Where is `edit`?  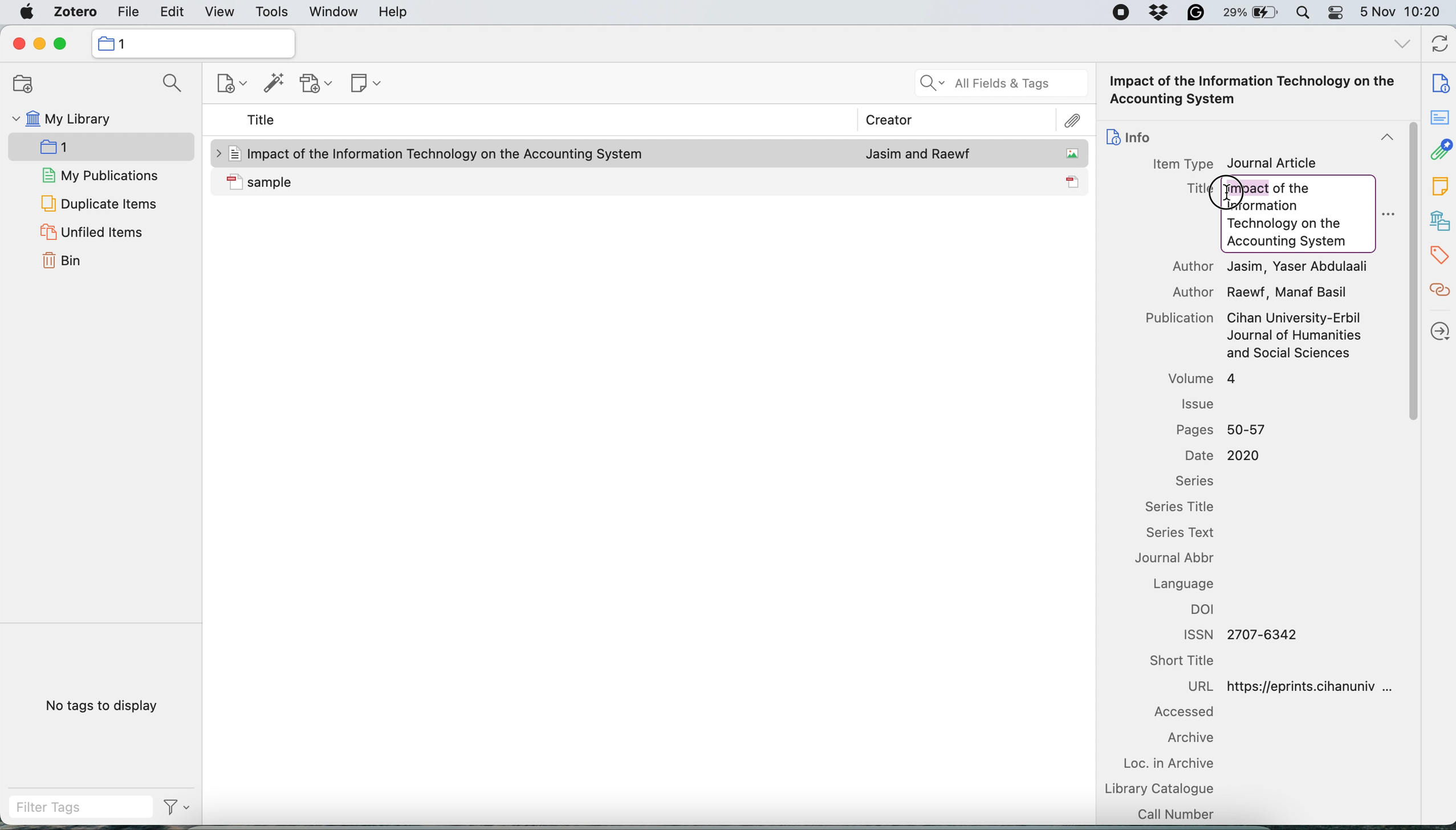 edit is located at coordinates (172, 13).